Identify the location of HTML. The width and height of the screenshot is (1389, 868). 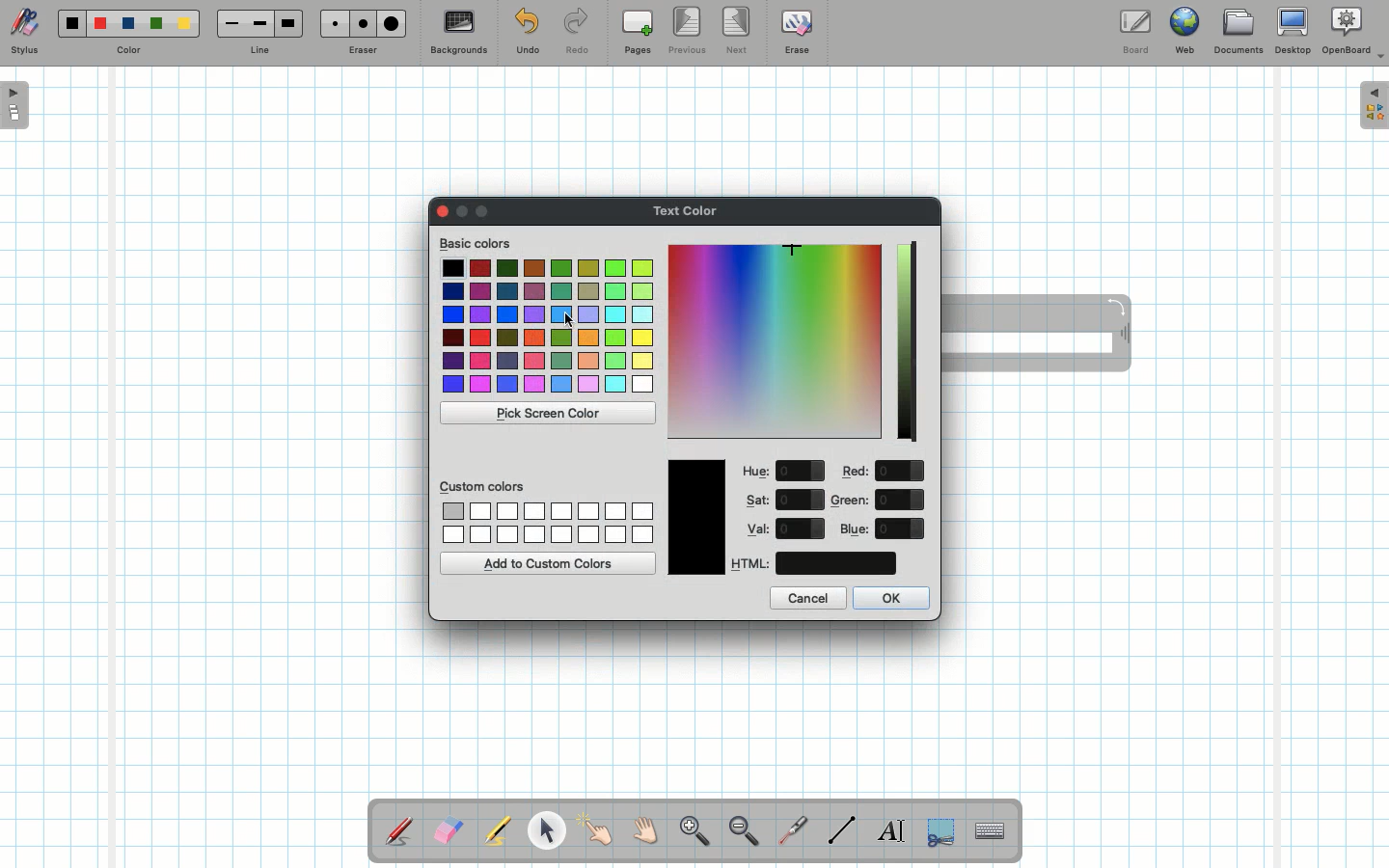
(751, 563).